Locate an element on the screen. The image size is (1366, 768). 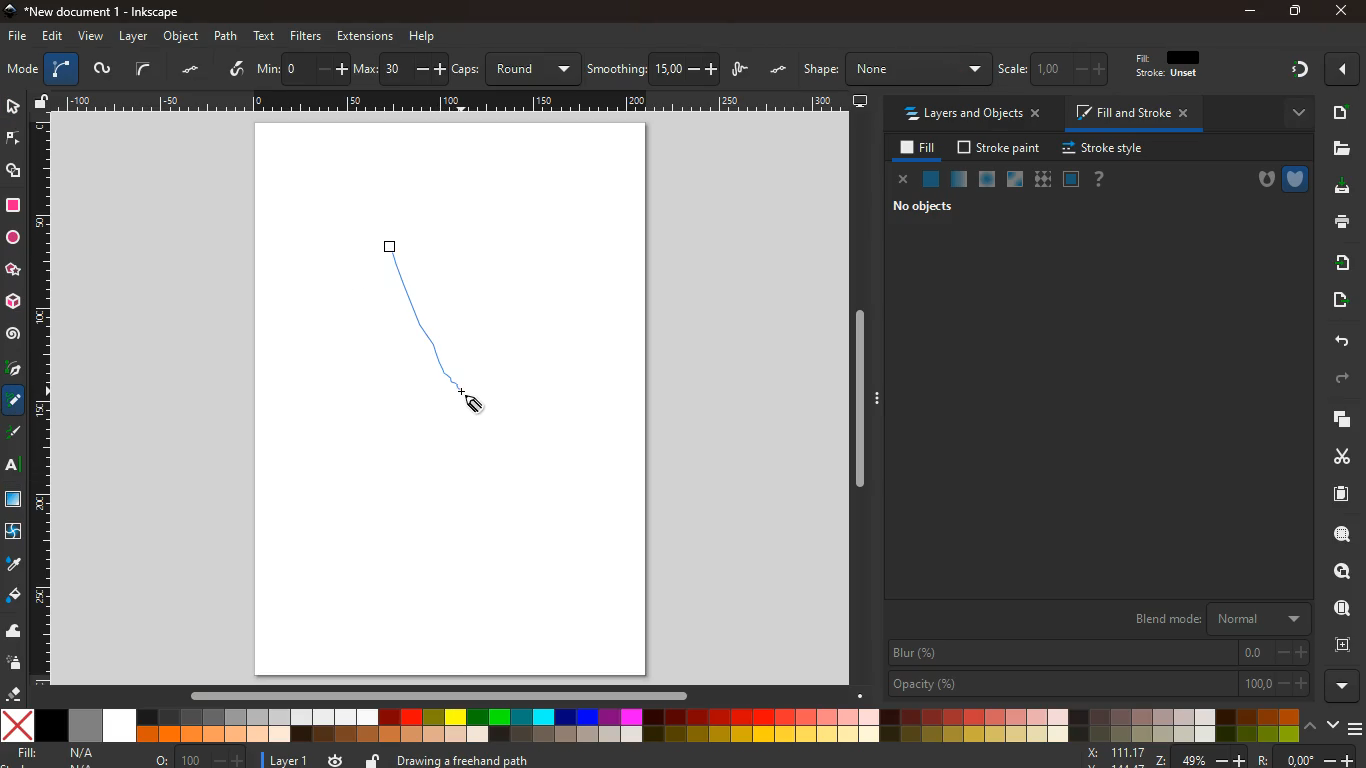
shape is located at coordinates (896, 69).